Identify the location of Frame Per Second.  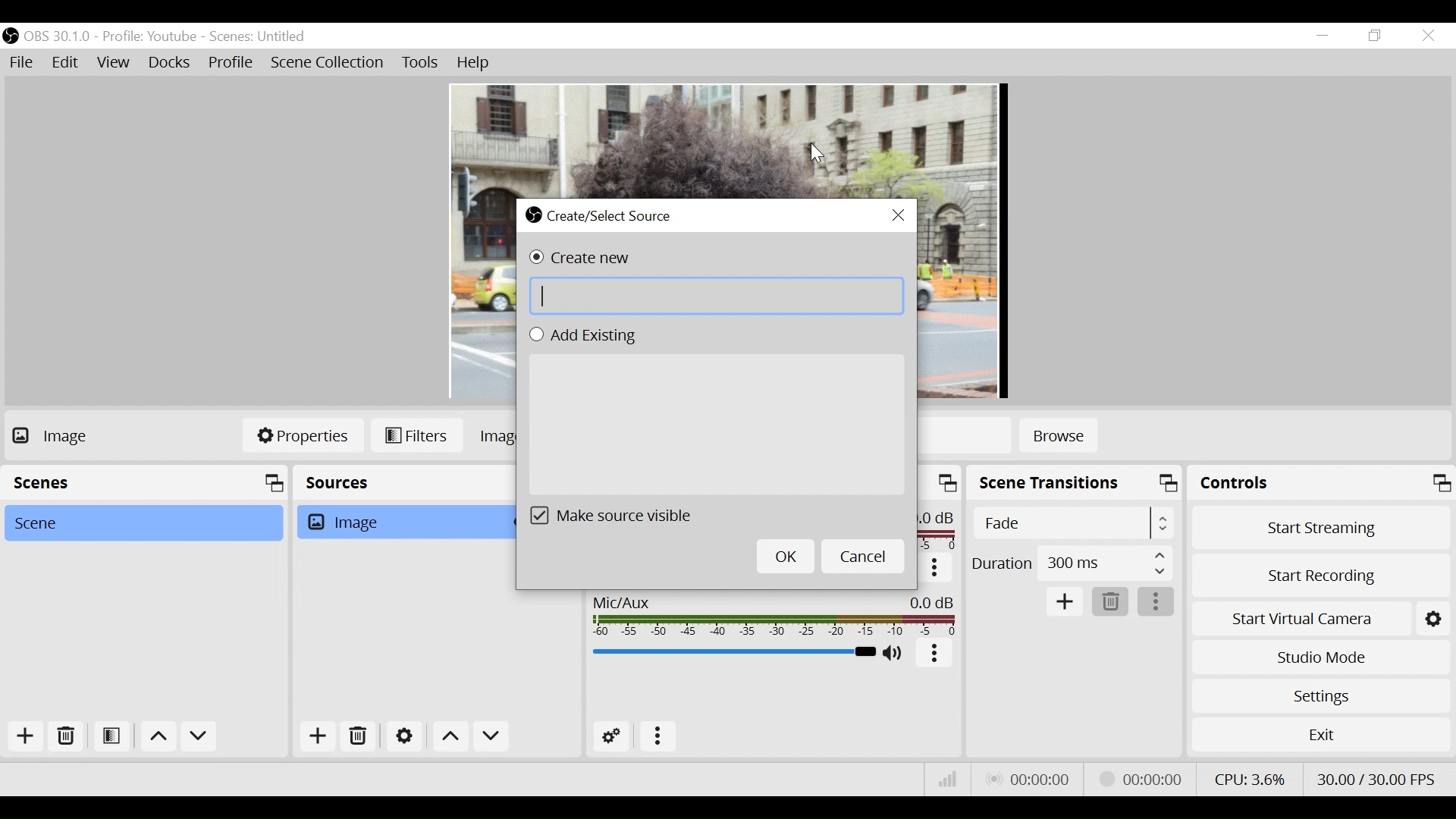
(1376, 780).